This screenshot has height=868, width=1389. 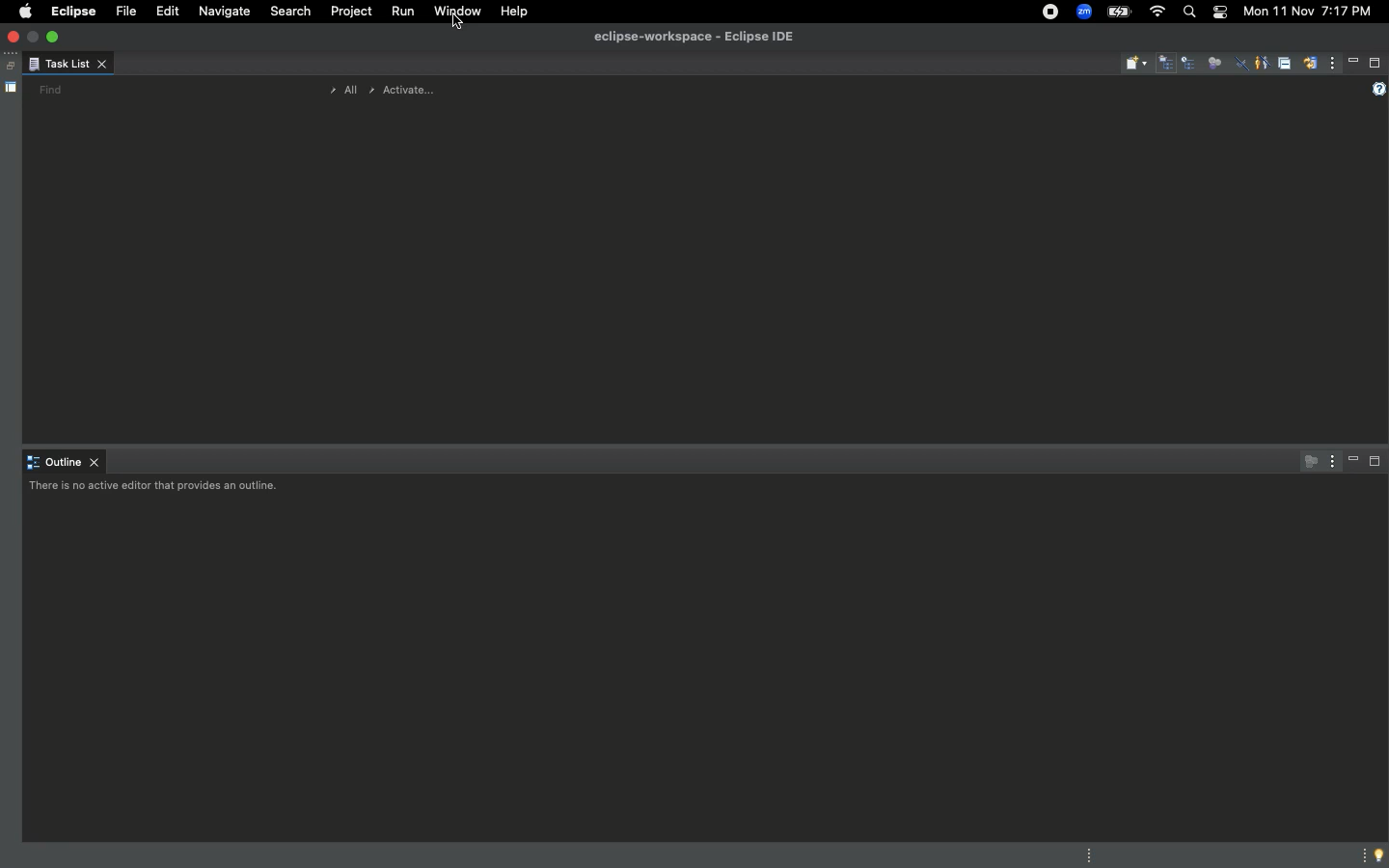 What do you see at coordinates (403, 88) in the screenshot?
I see `Activate` at bounding box center [403, 88].